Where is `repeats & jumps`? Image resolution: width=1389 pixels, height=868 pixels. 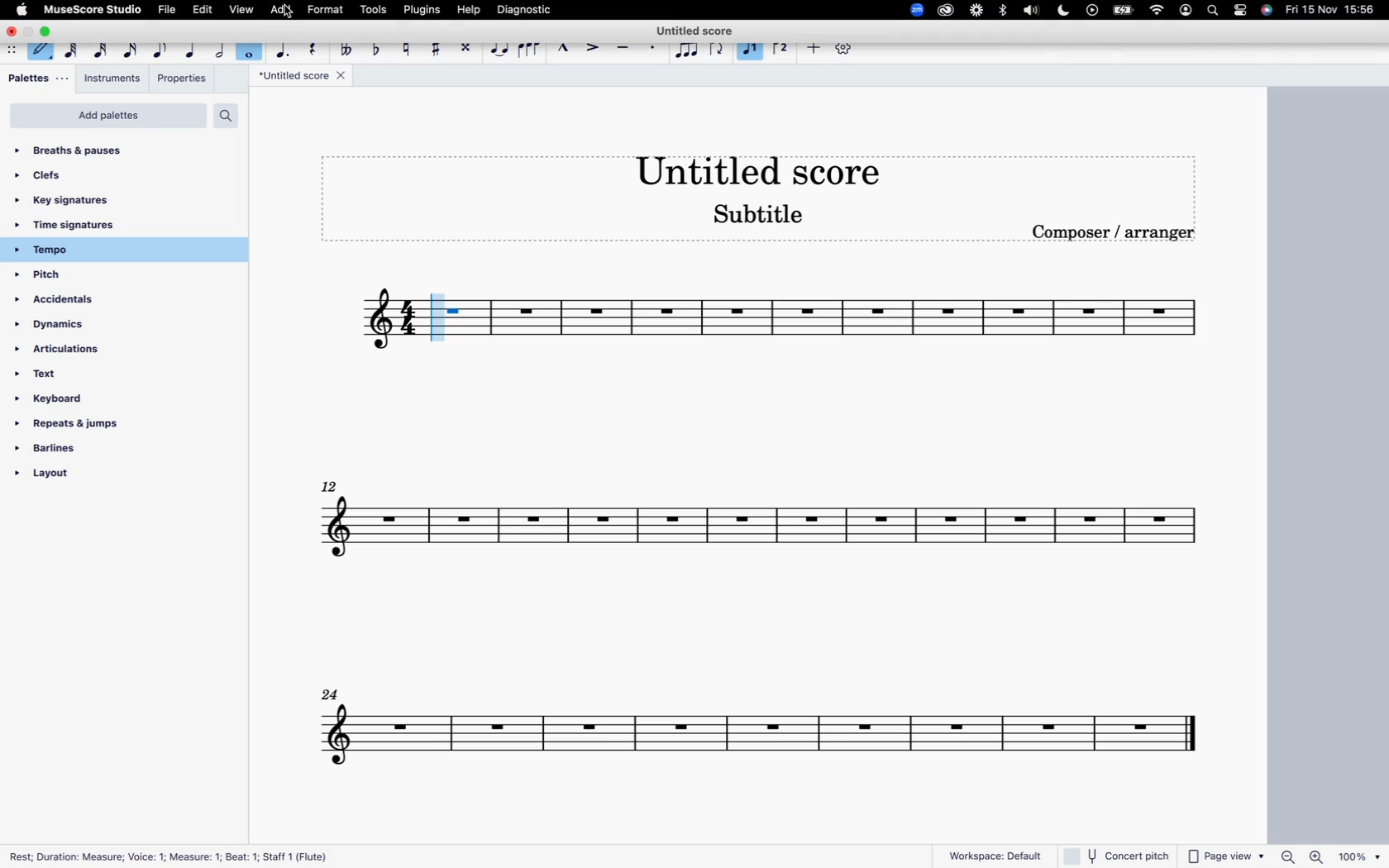 repeats & jumps is located at coordinates (80, 427).